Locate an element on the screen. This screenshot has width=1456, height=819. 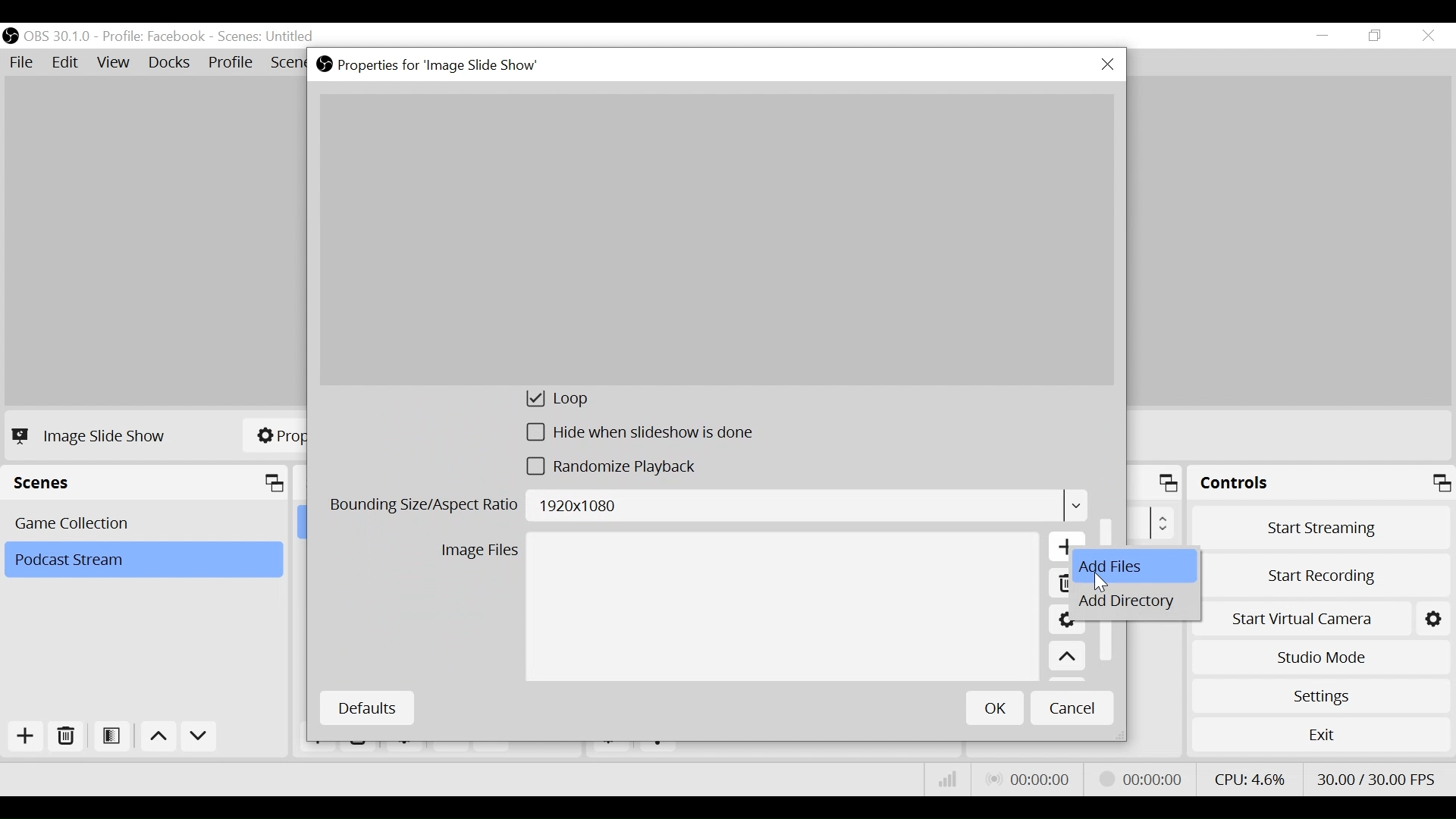
Image File Field is located at coordinates (782, 608).